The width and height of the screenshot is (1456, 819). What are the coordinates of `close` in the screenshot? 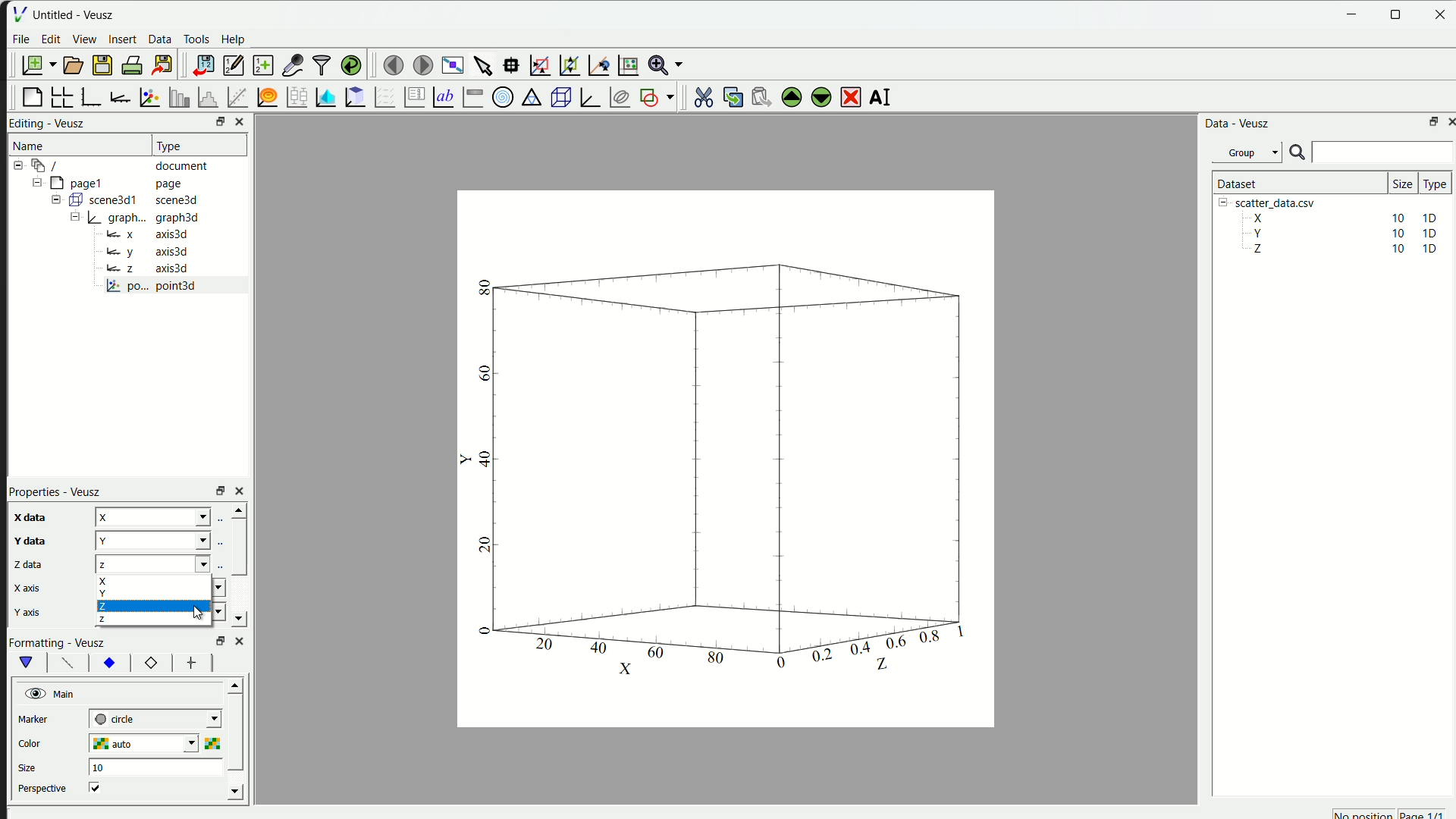 It's located at (1437, 14).